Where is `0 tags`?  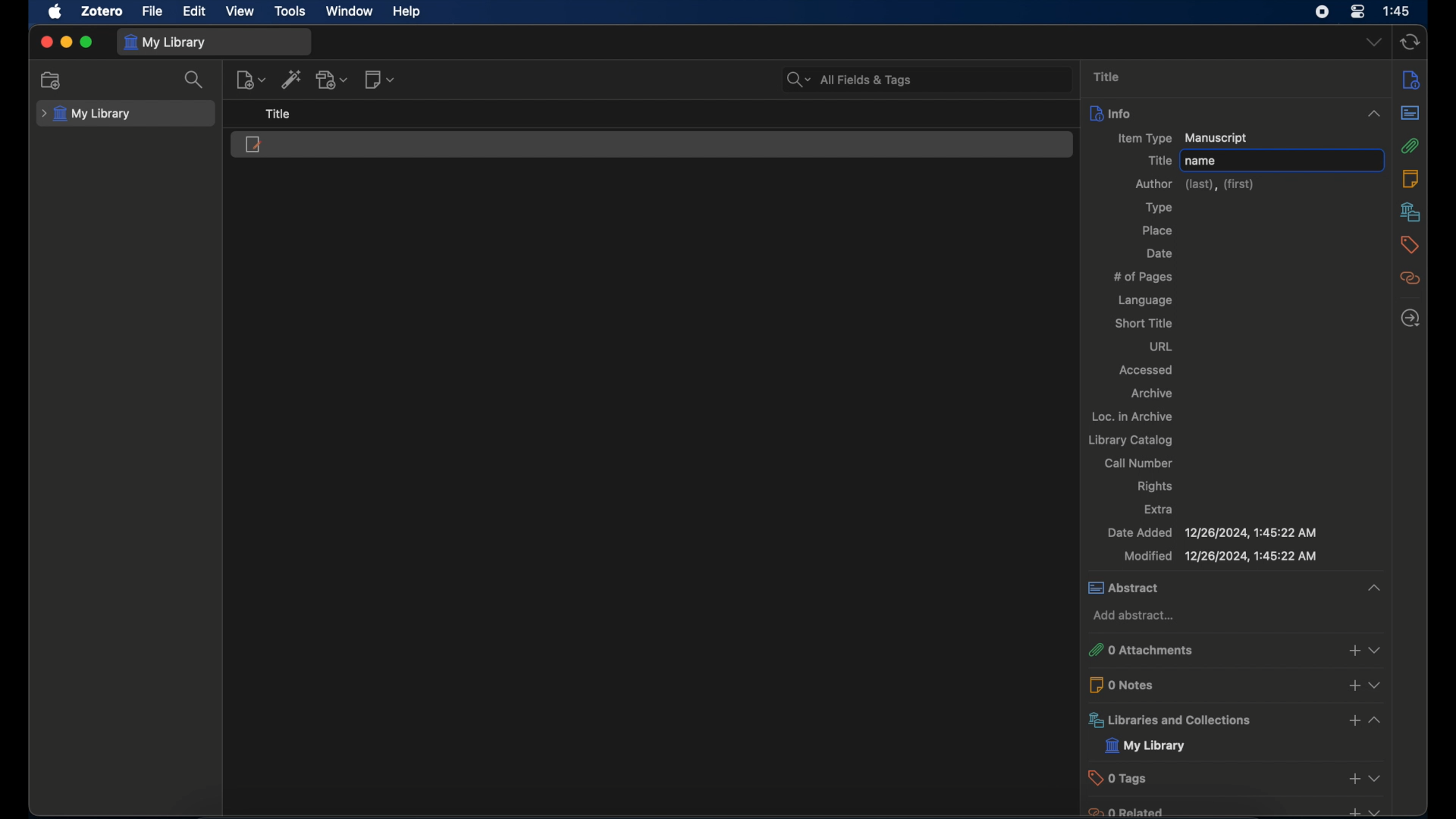
0 tags is located at coordinates (1236, 777).